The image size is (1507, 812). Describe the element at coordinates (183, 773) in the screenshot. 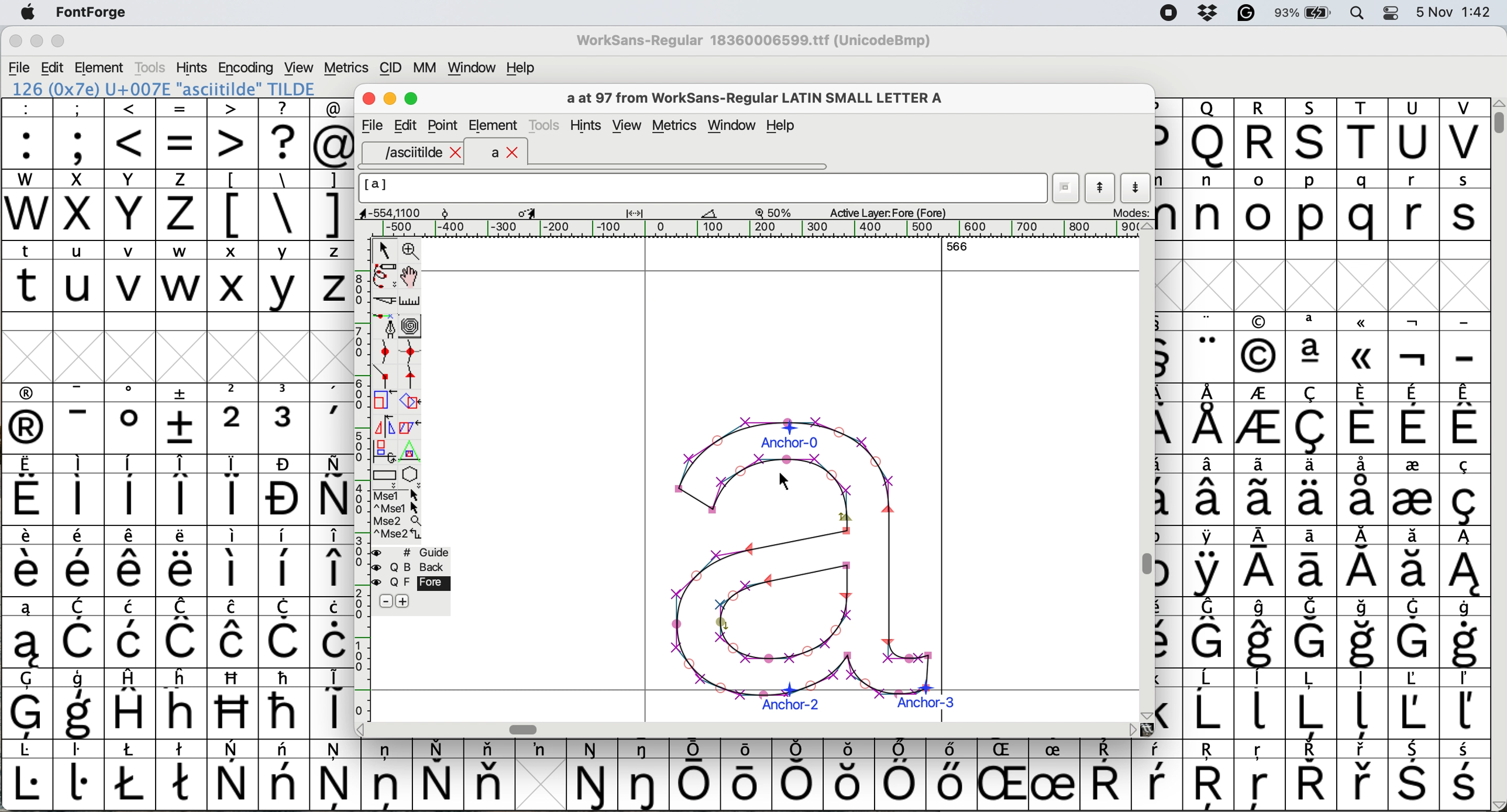

I see `symbol` at that location.